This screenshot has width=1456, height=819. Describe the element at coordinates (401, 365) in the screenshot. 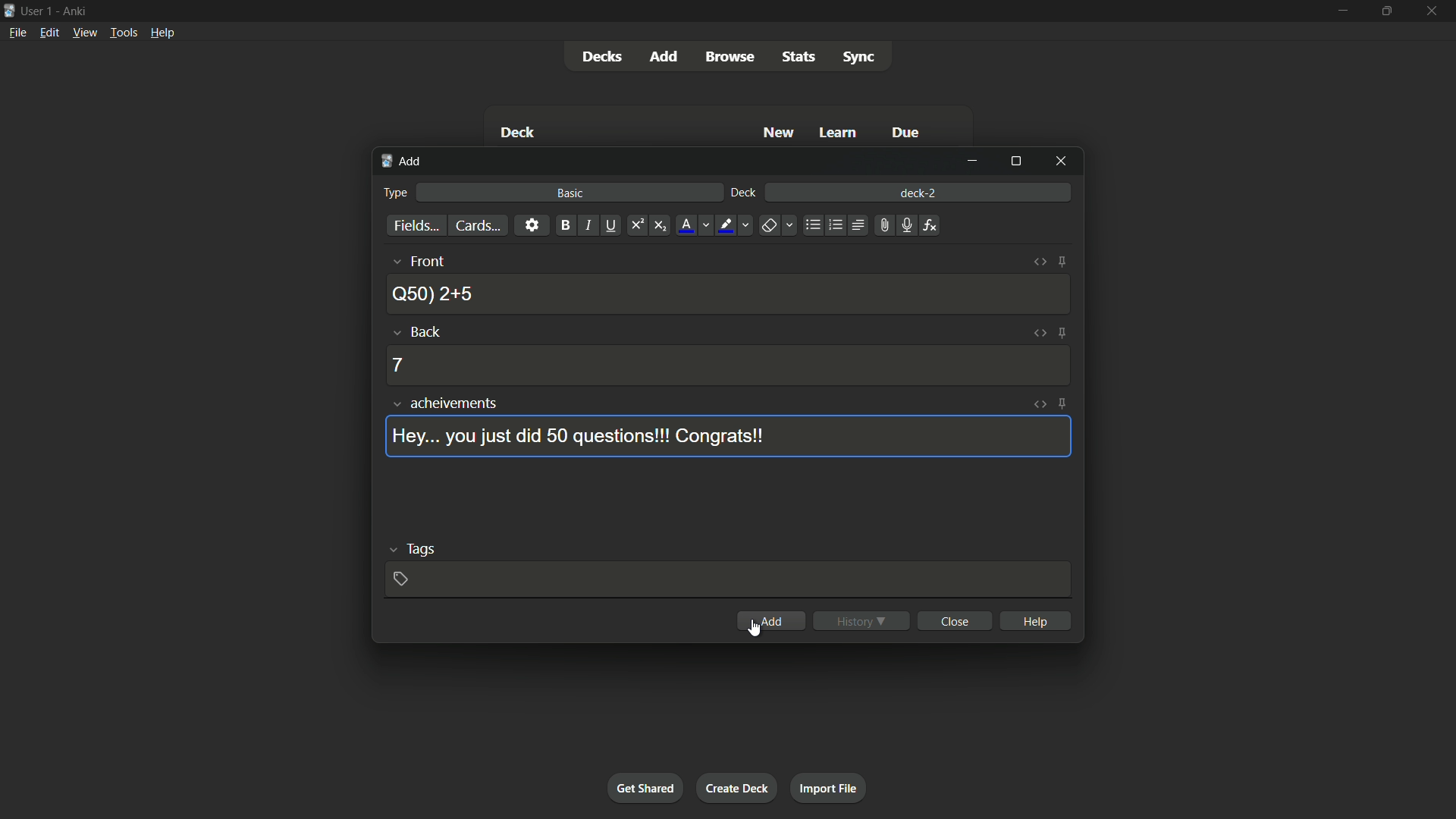

I see `7` at that location.